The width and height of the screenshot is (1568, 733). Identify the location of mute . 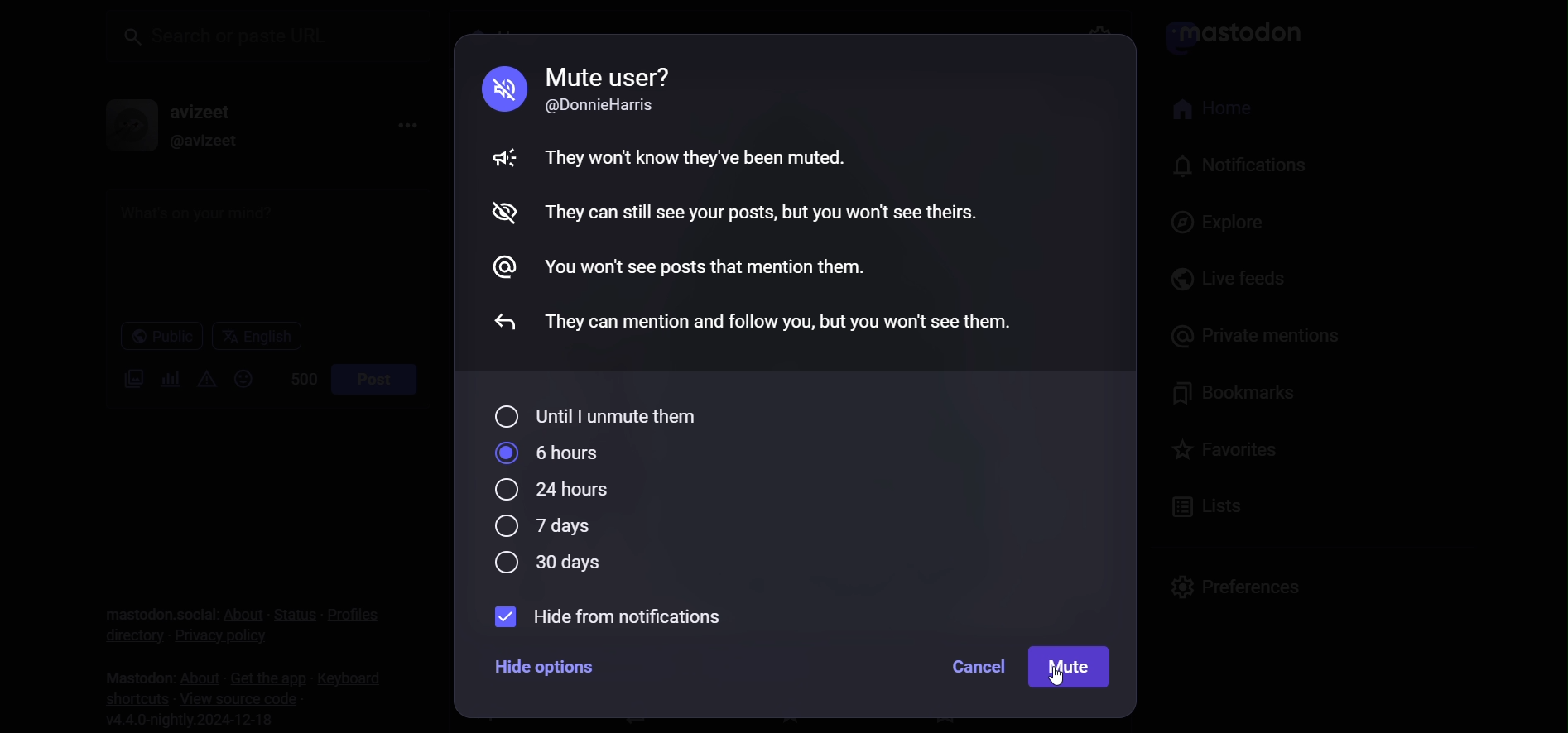
(1072, 668).